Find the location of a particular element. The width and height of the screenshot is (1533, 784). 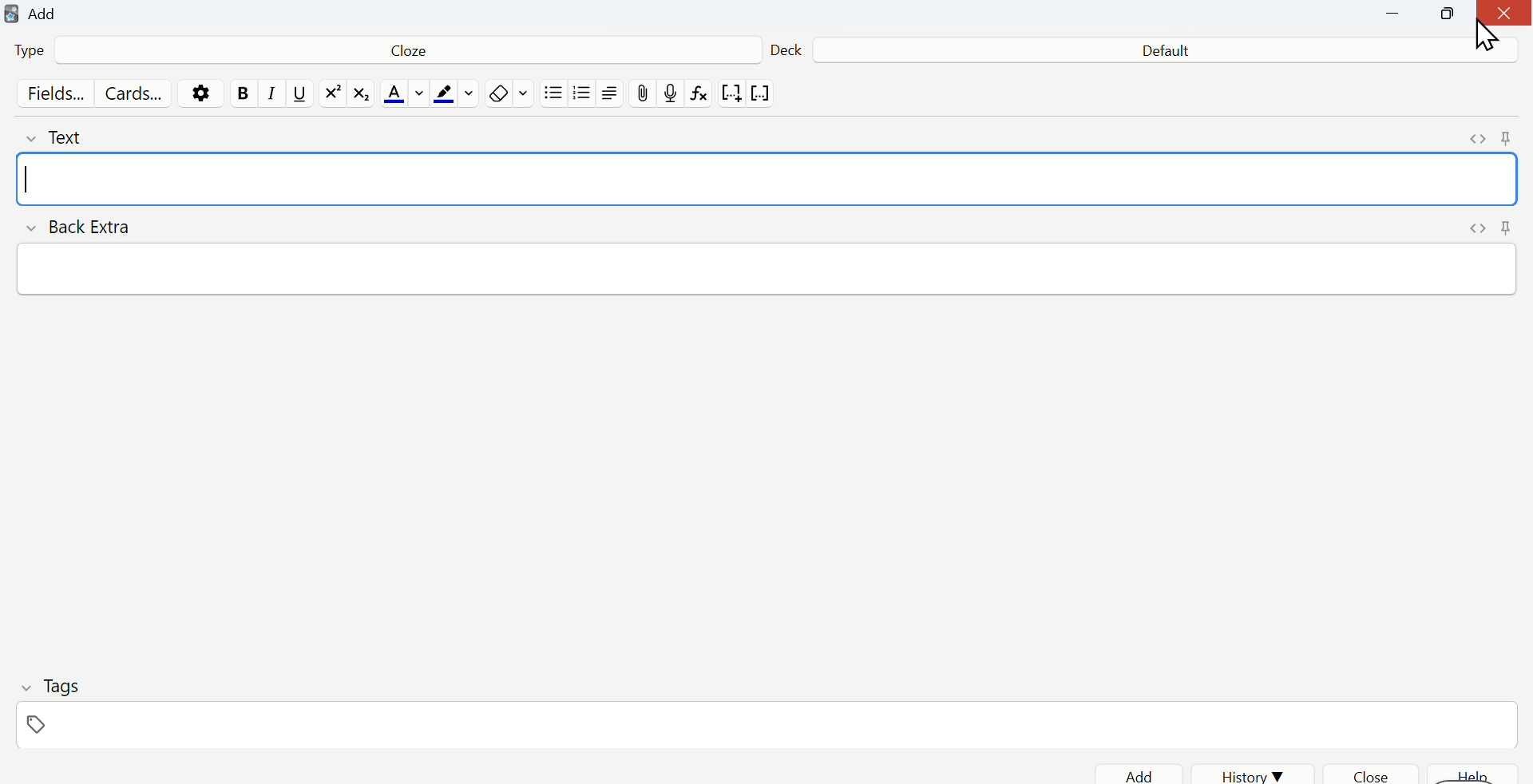

Close is located at coordinates (1379, 774).